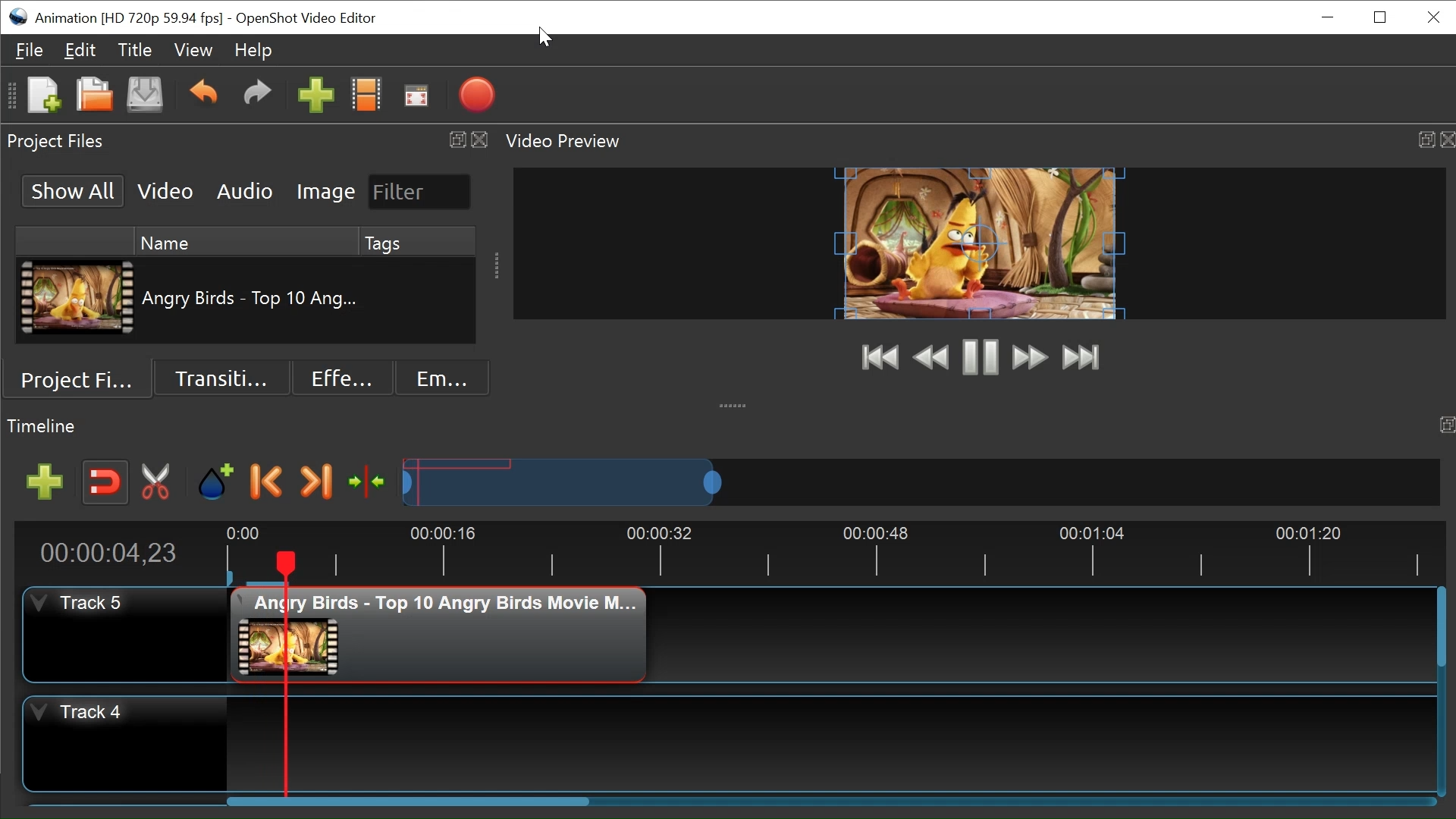  I want to click on Clip, so click(80, 297).